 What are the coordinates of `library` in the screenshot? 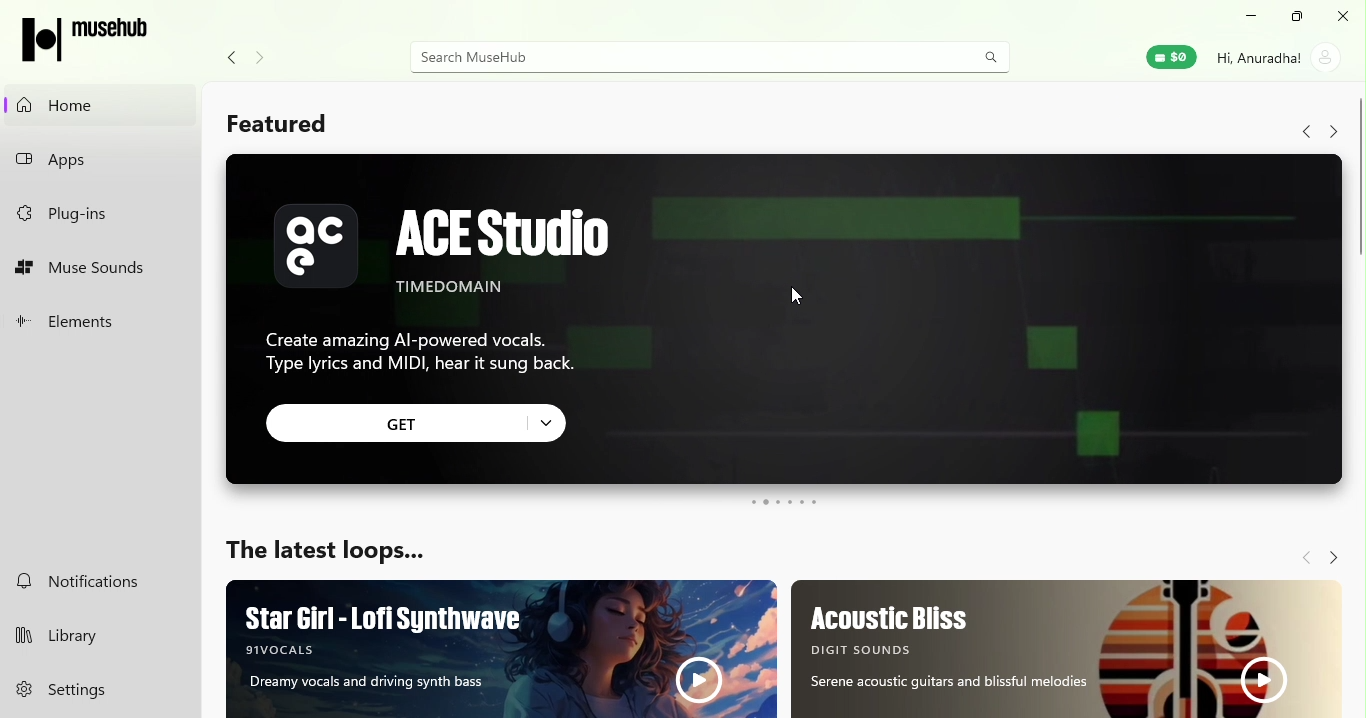 It's located at (80, 636).